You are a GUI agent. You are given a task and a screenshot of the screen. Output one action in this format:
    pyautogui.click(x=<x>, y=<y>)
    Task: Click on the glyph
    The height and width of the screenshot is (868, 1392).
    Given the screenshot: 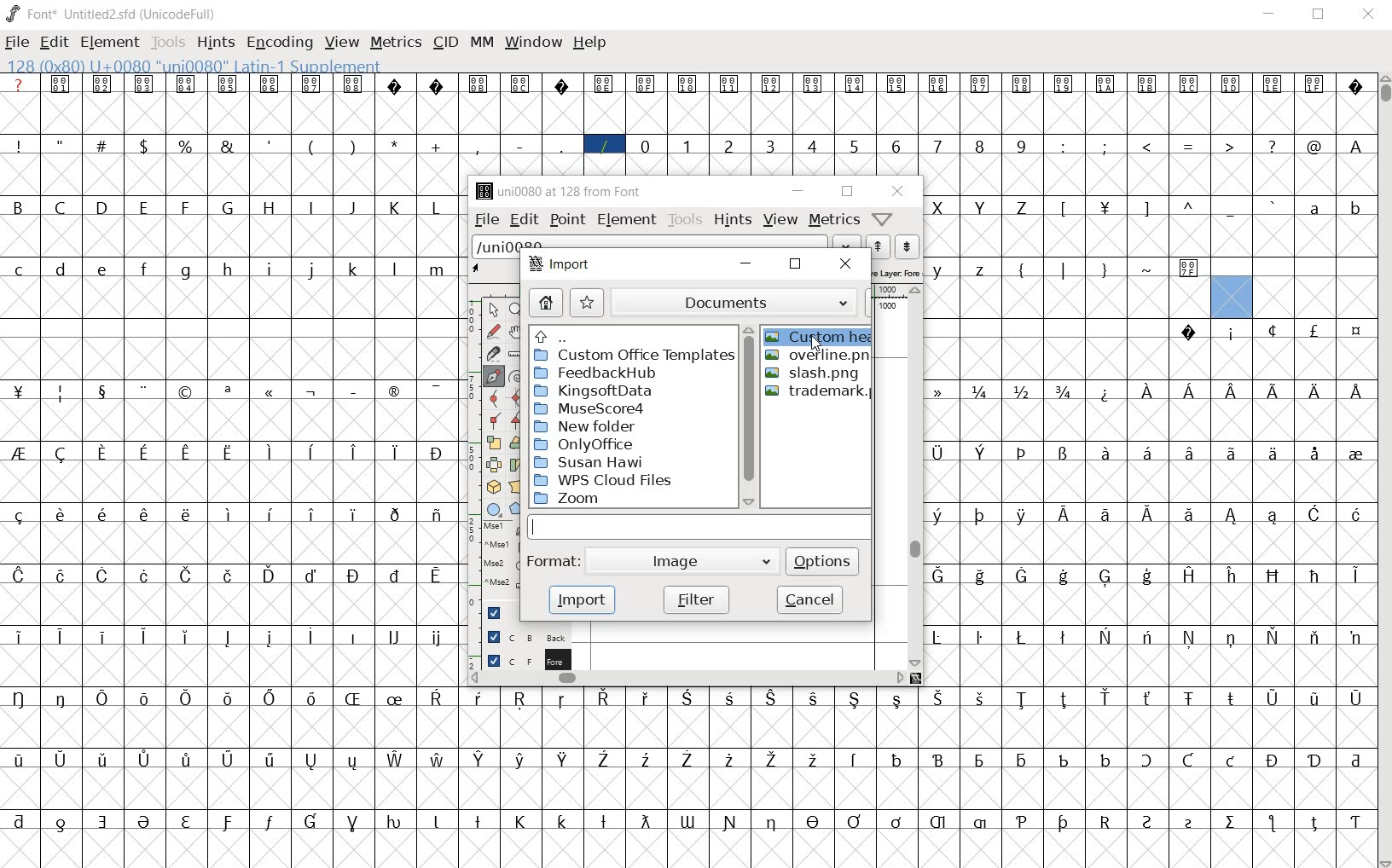 What is the action you would take?
    pyautogui.click(x=1356, y=576)
    